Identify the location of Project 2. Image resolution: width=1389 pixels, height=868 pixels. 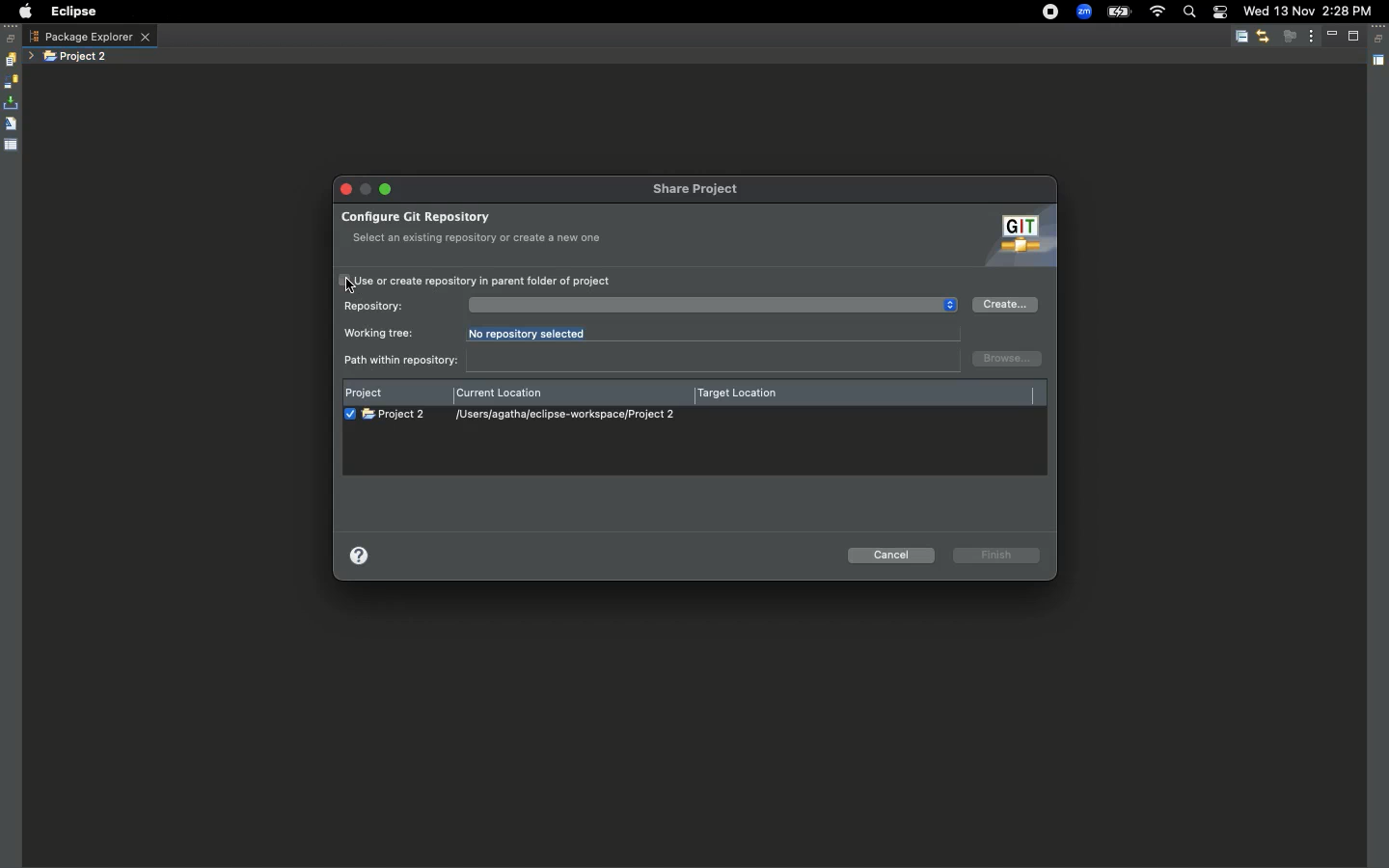
(77, 57).